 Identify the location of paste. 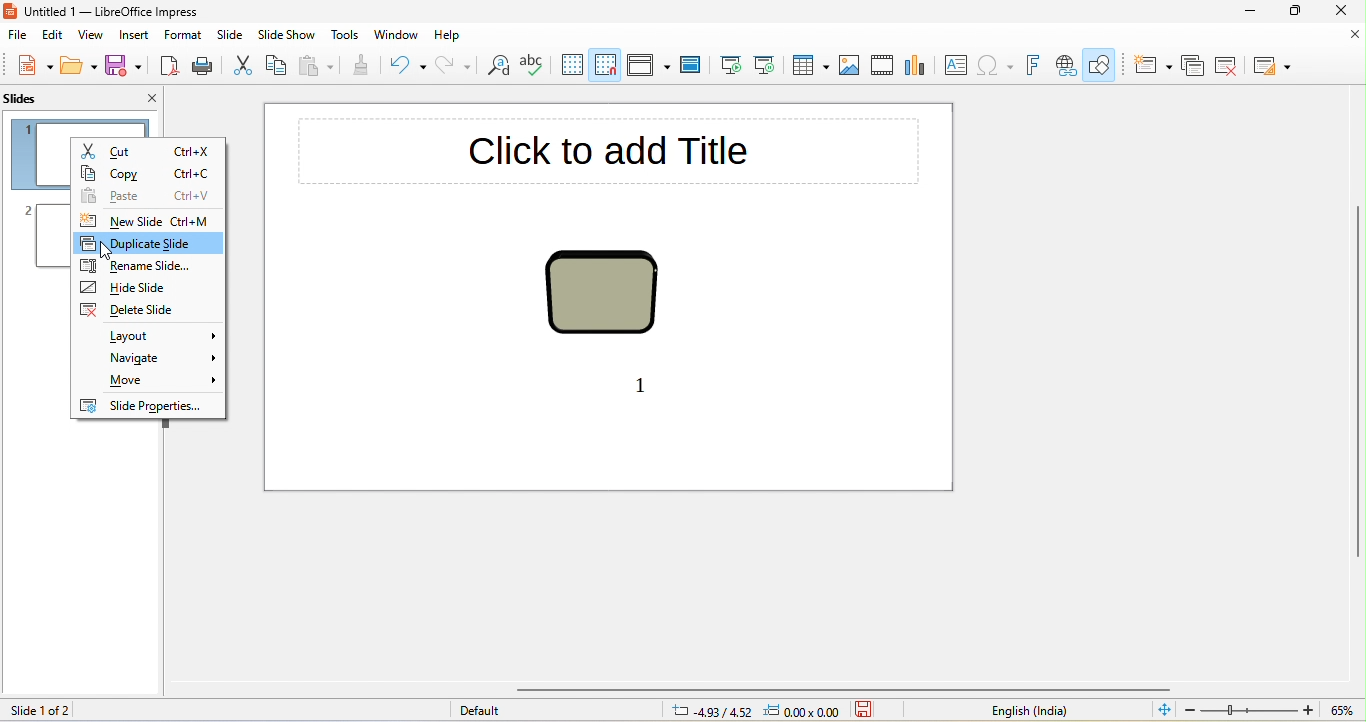
(148, 197).